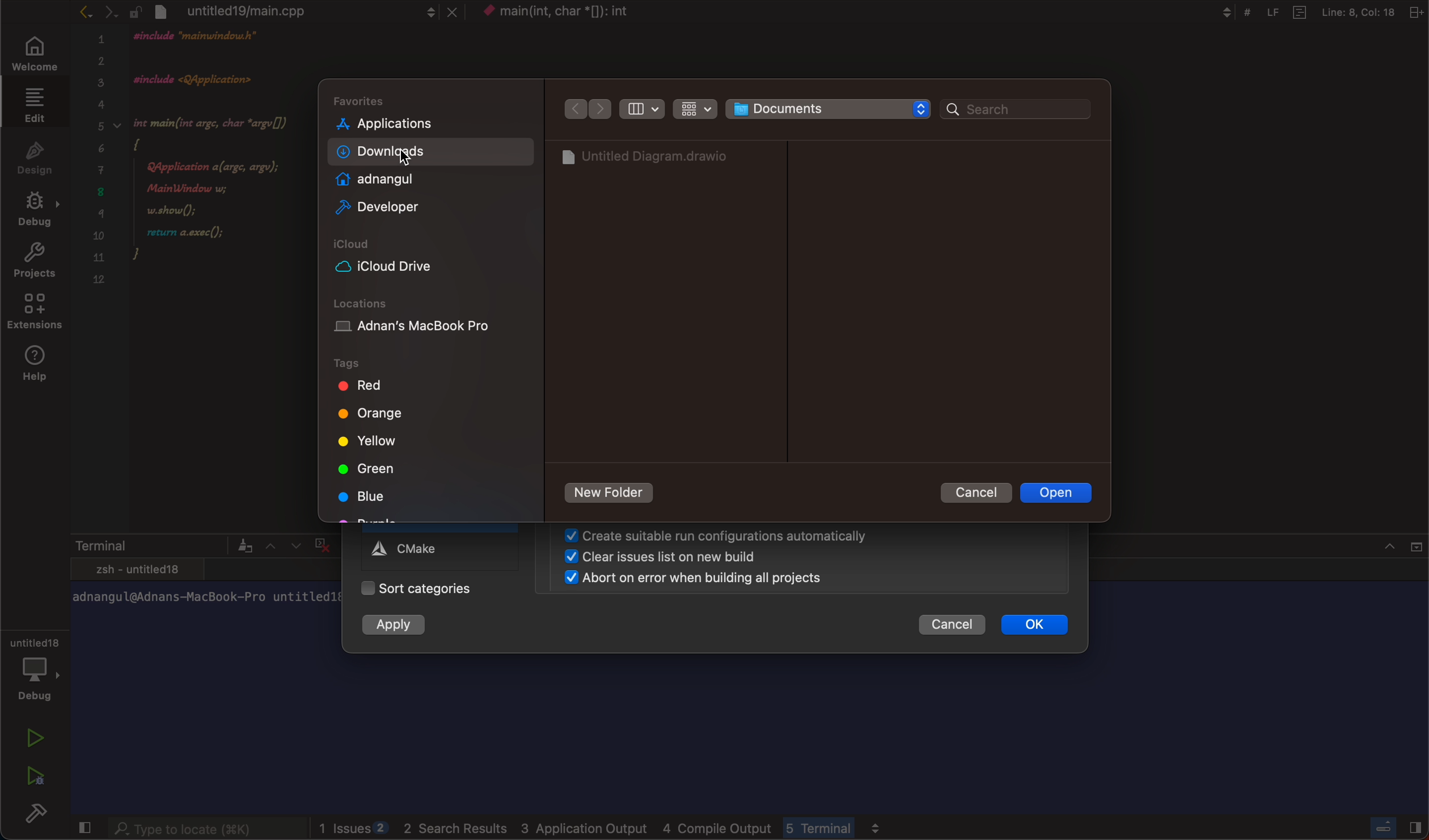  What do you see at coordinates (37, 207) in the screenshot?
I see `debug` at bounding box center [37, 207].